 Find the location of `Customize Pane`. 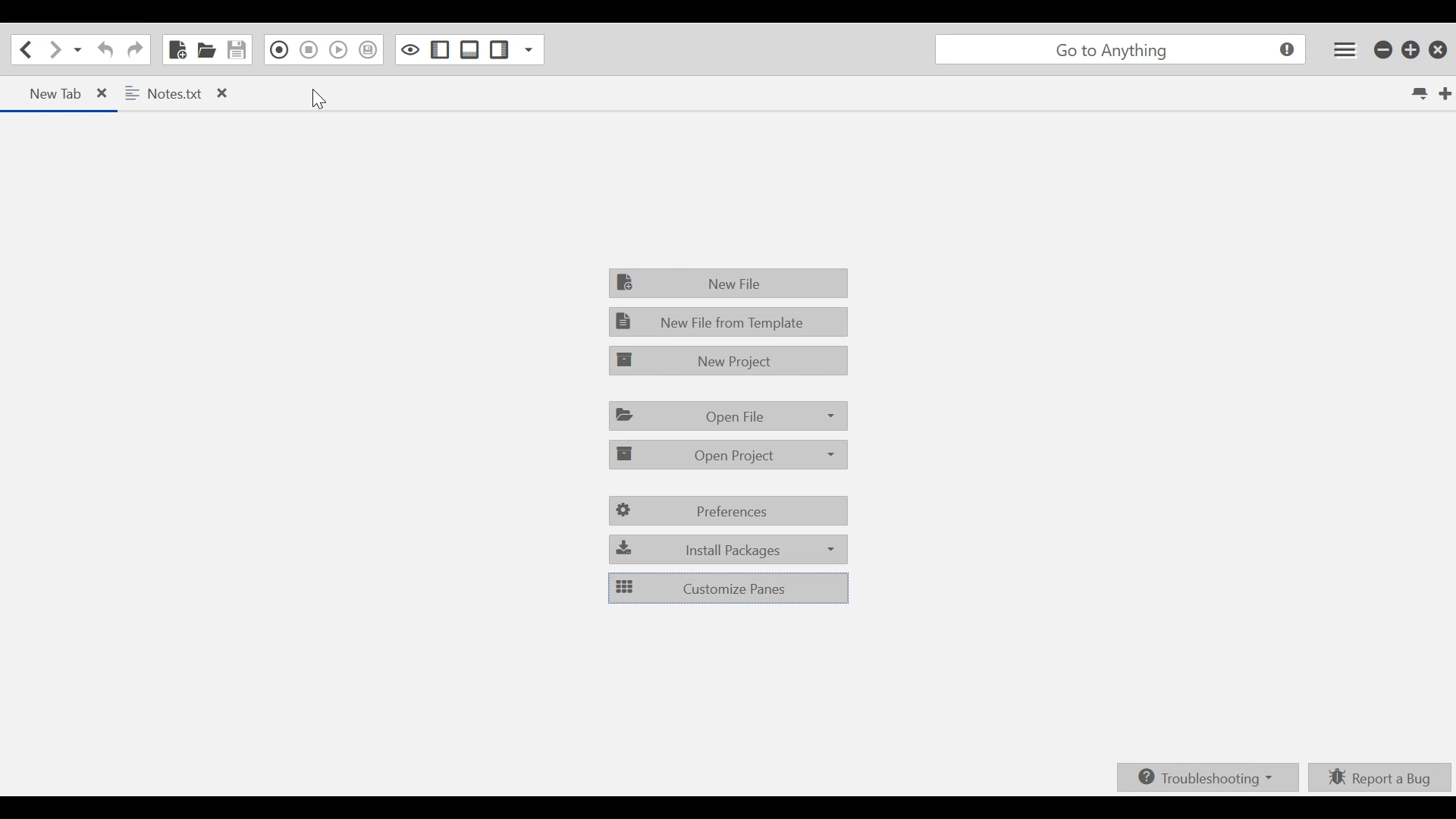

Customize Pane is located at coordinates (726, 588).